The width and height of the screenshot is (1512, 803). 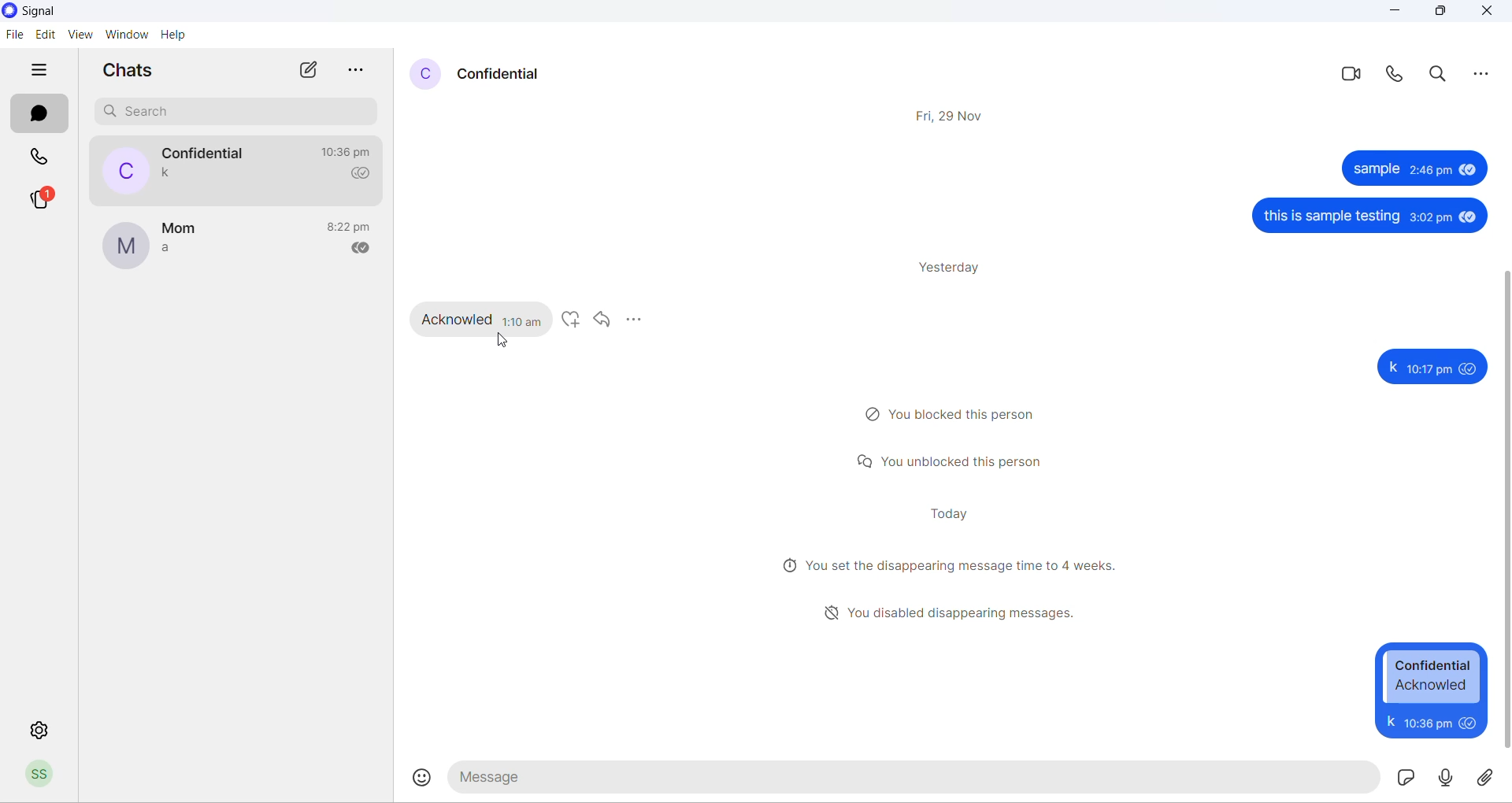 I want to click on more options, so click(x=637, y=320).